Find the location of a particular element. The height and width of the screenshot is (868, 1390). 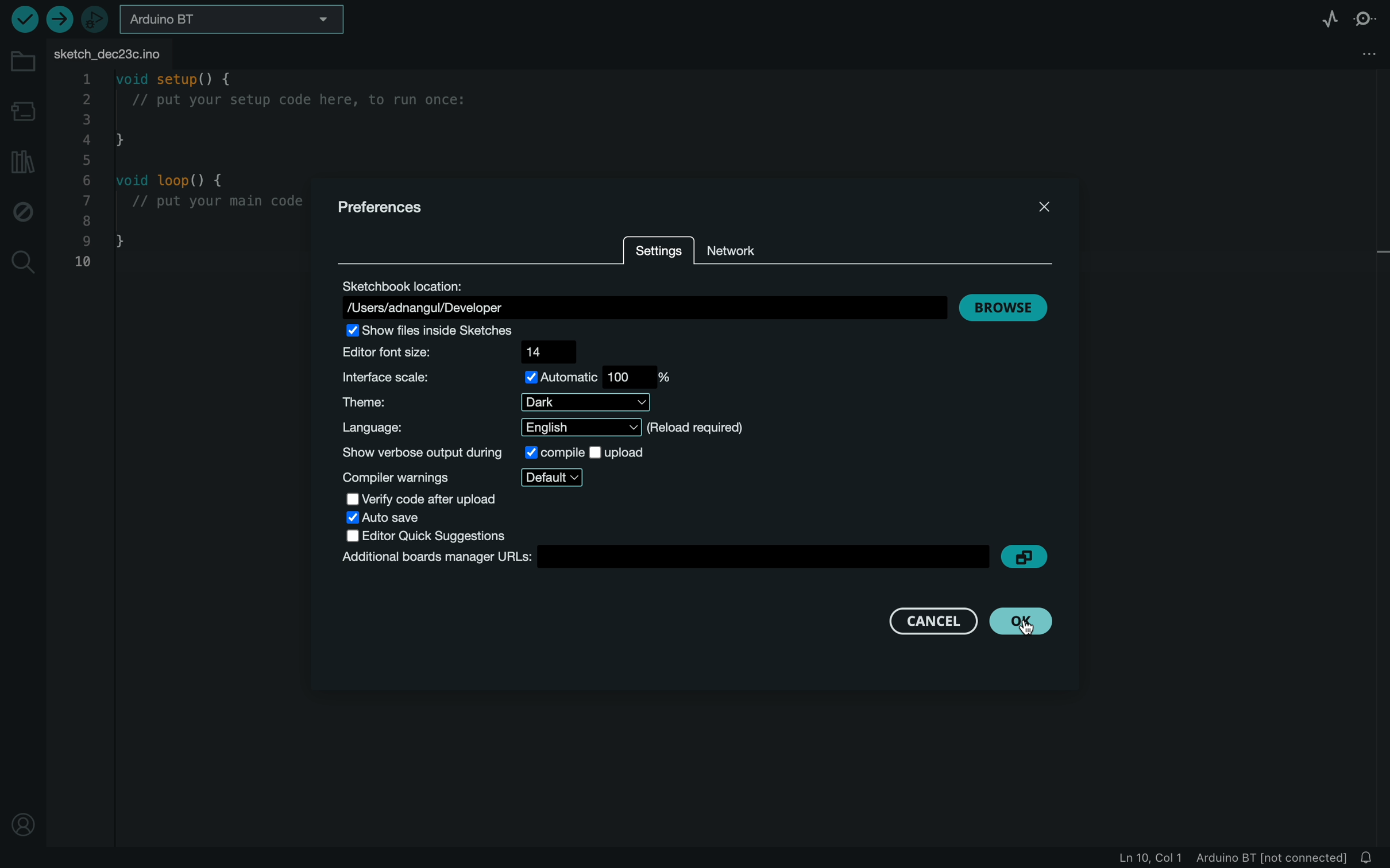

verify is located at coordinates (22, 19).